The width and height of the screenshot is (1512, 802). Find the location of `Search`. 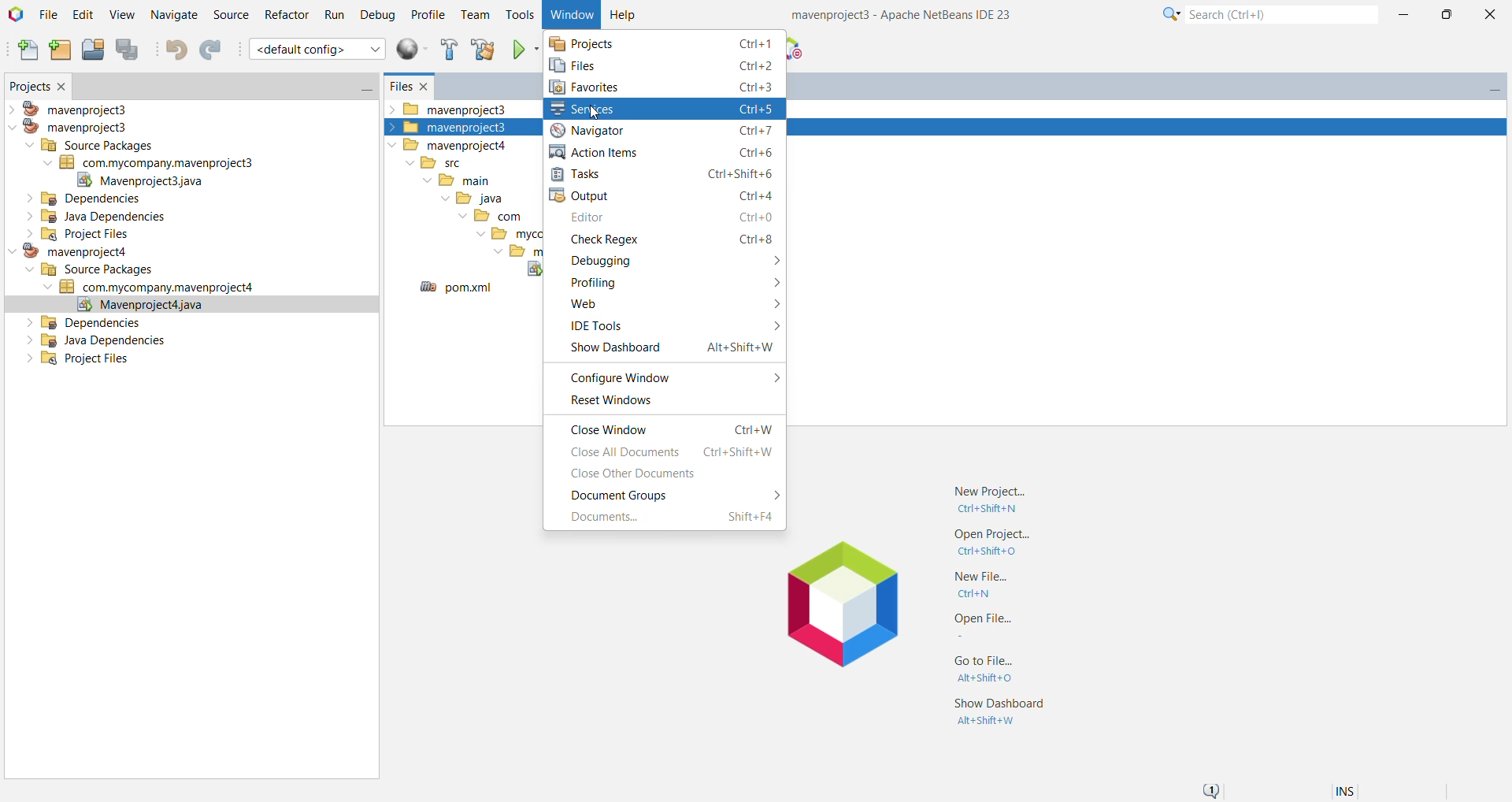

Search is located at coordinates (1280, 16).